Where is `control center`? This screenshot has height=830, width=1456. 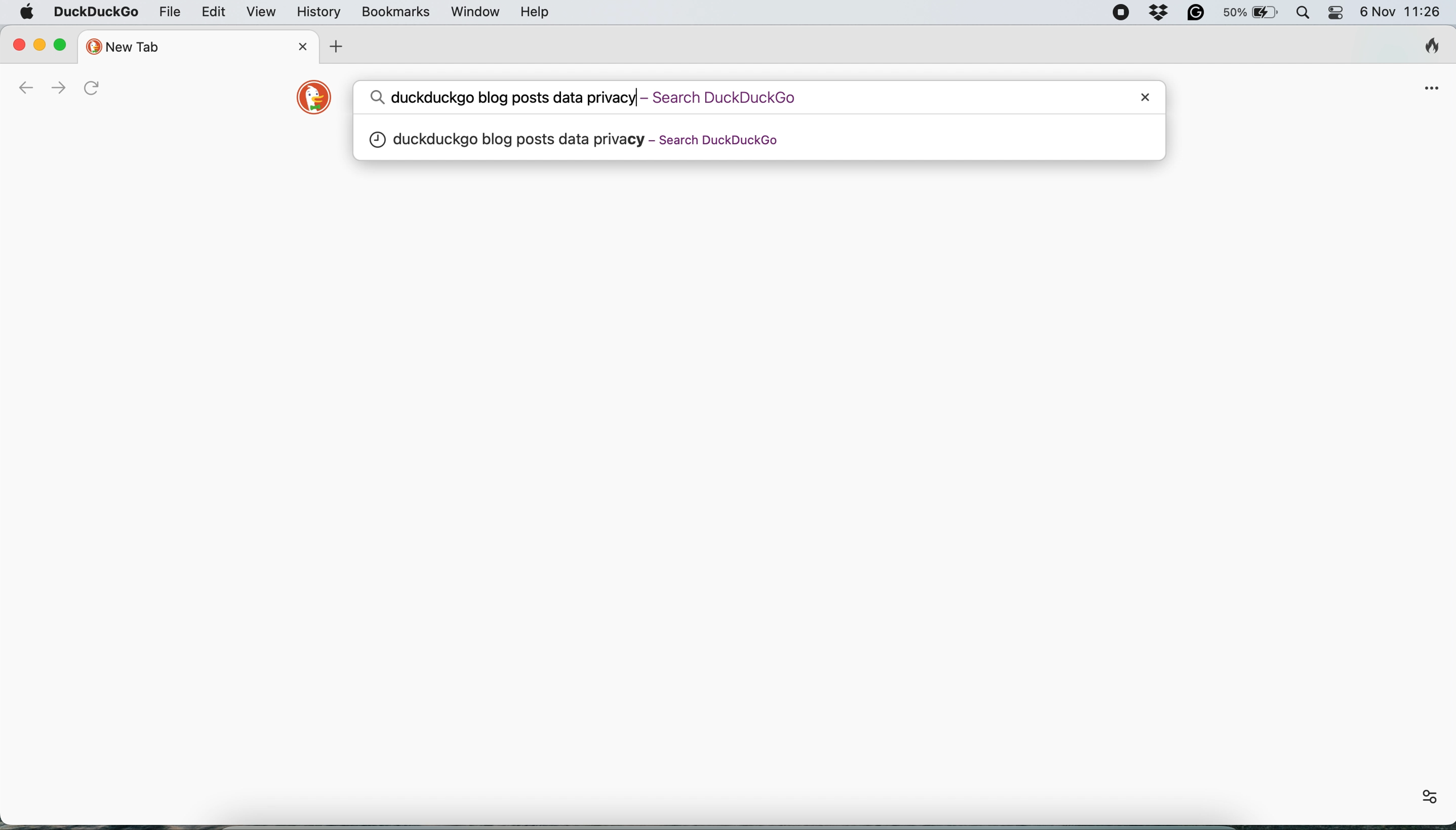
control center is located at coordinates (1336, 13).